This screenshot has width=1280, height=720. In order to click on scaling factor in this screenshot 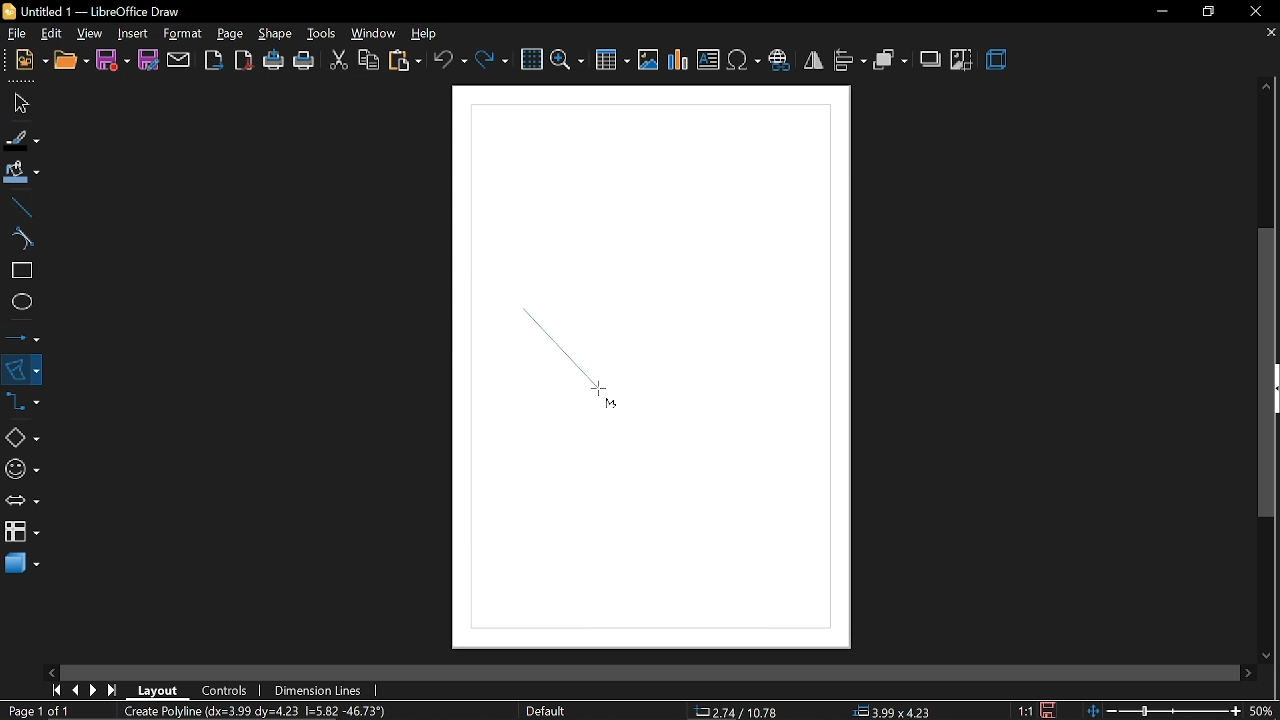, I will do `click(1030, 710)`.